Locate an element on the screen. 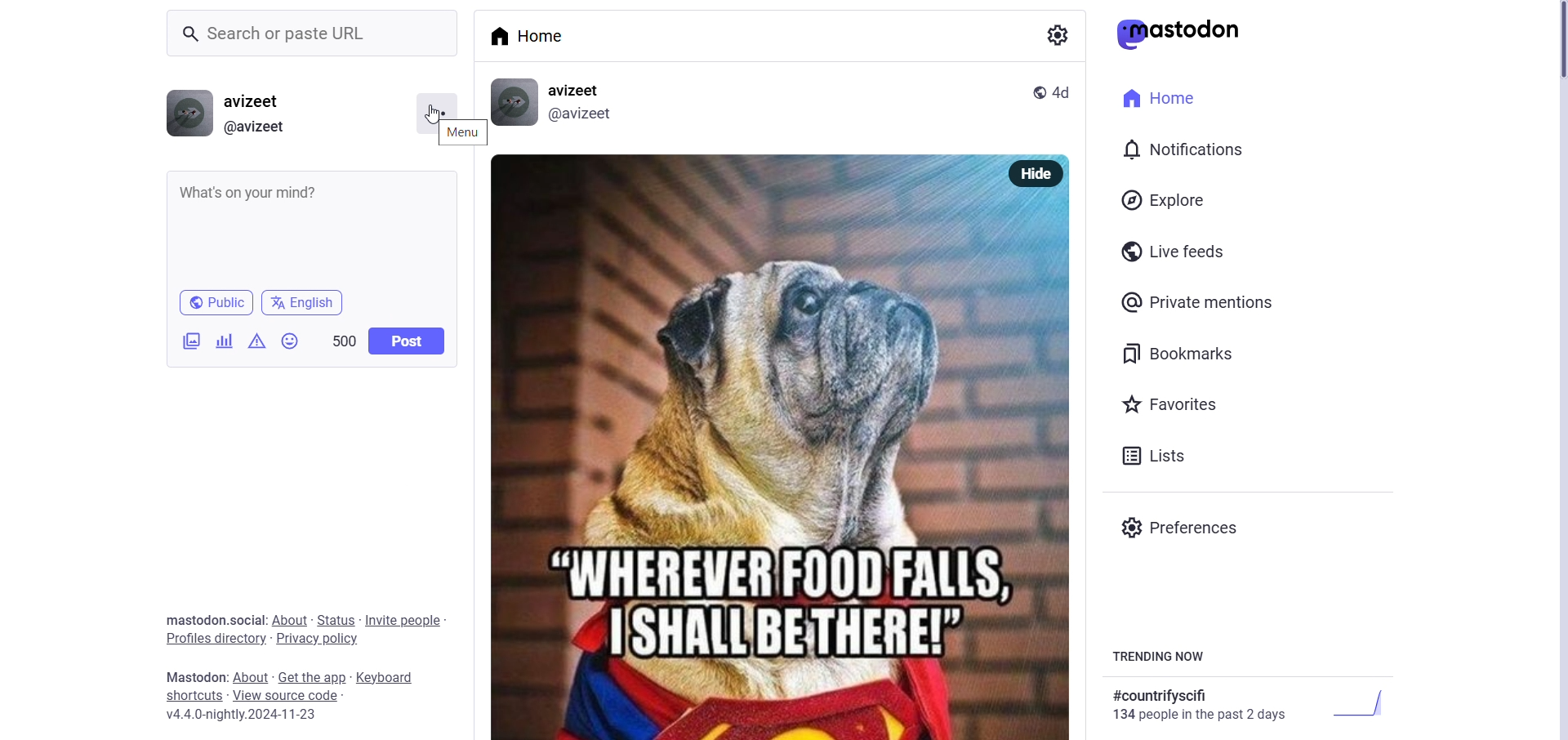 This screenshot has height=740, width=1568. mastodon is located at coordinates (198, 678).